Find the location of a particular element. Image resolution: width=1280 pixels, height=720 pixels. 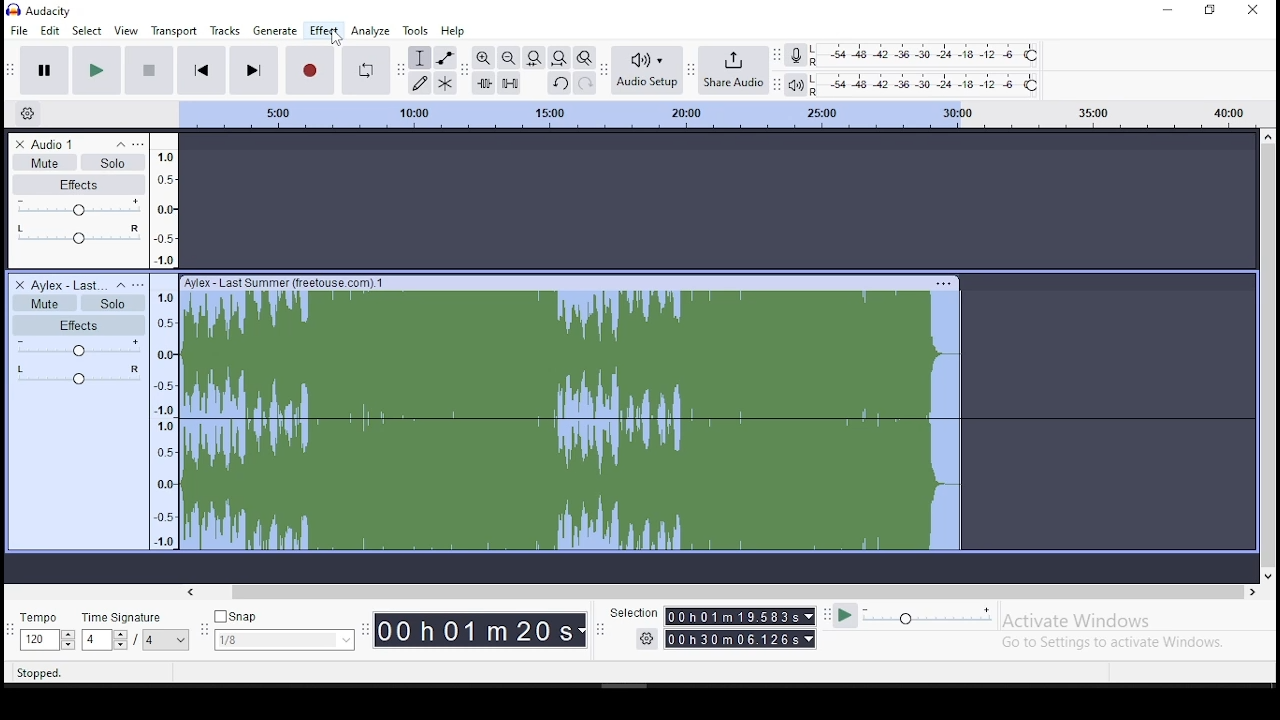

rime signature is located at coordinates (136, 632).